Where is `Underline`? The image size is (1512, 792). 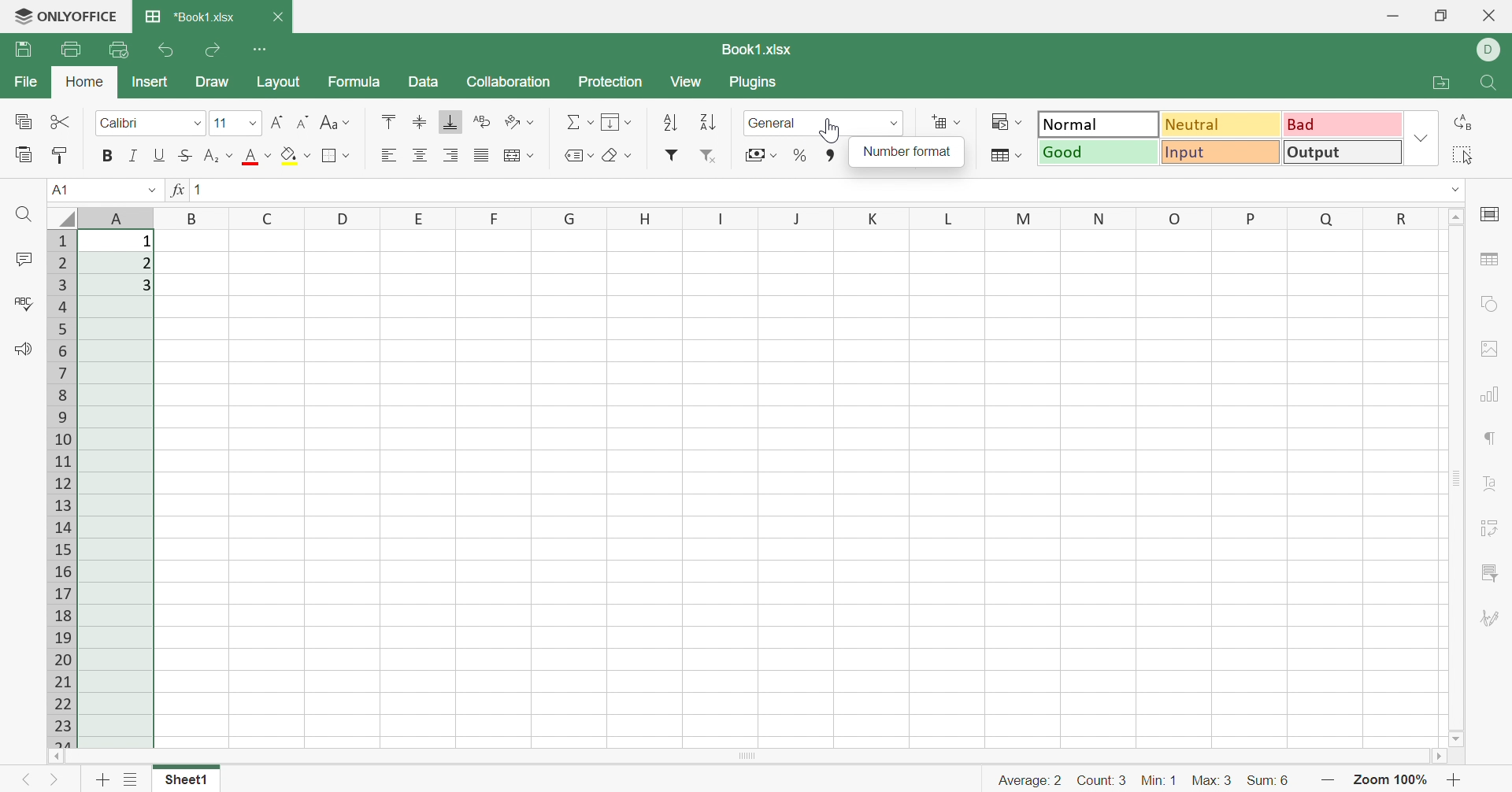 Underline is located at coordinates (160, 156).